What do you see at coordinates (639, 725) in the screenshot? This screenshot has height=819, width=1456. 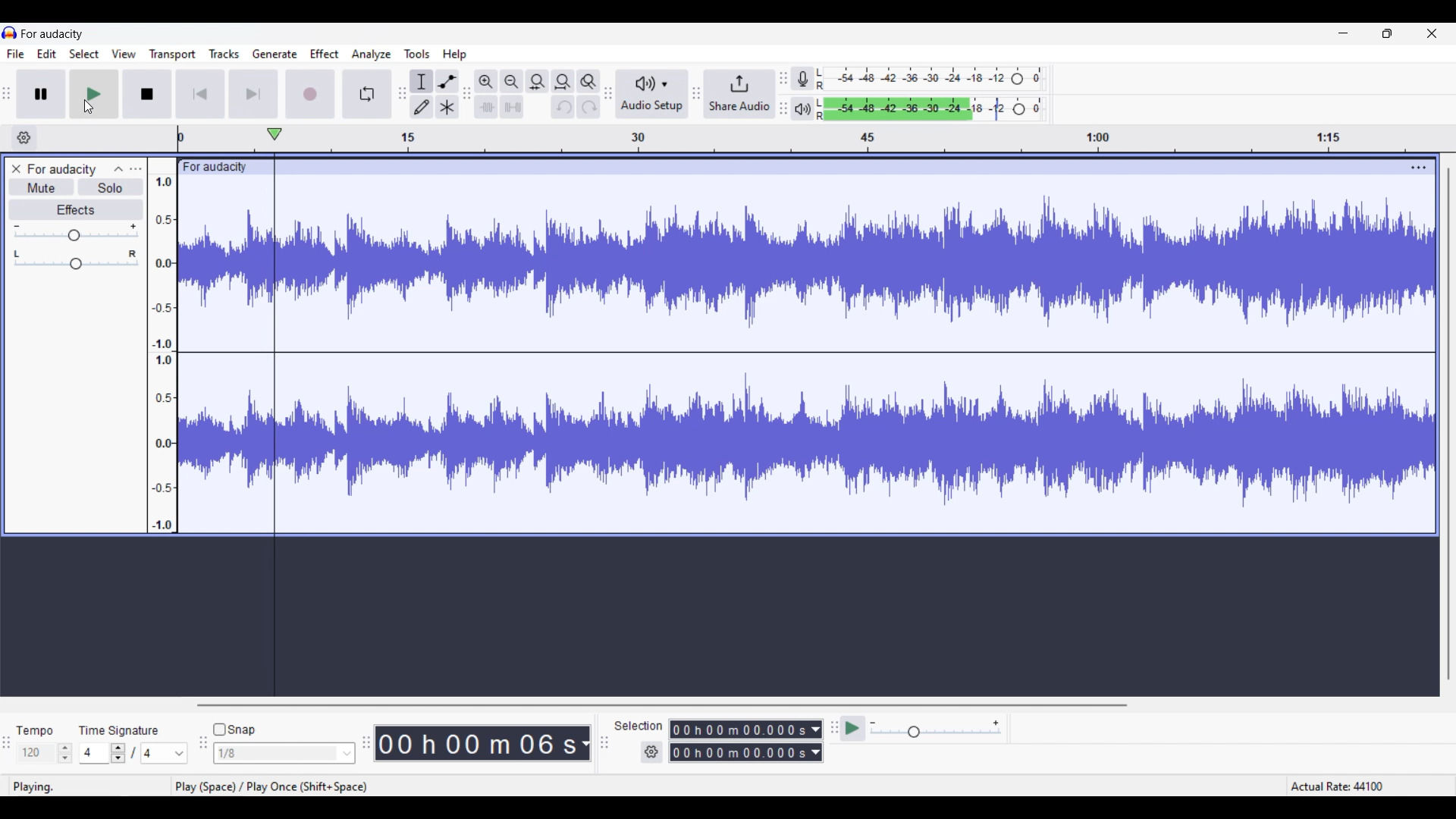 I see `Indicates selection duration settings` at bounding box center [639, 725].